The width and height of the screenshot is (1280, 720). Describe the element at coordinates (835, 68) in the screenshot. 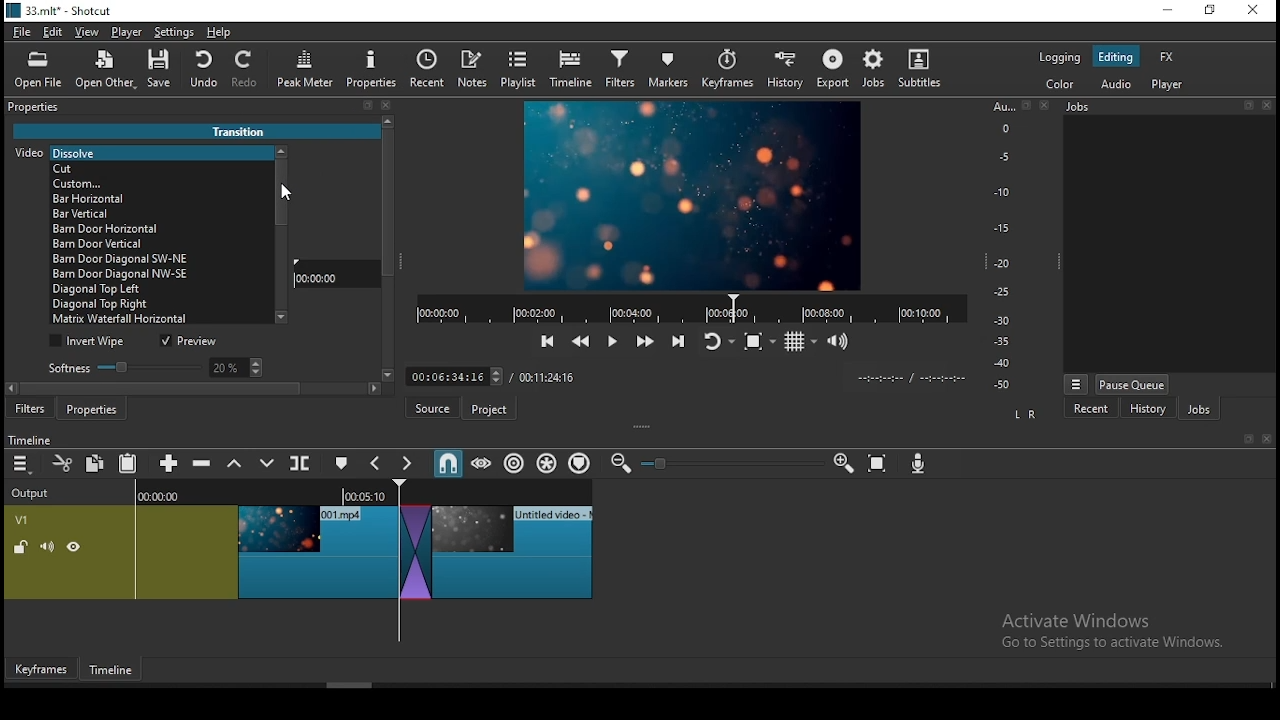

I see `export` at that location.